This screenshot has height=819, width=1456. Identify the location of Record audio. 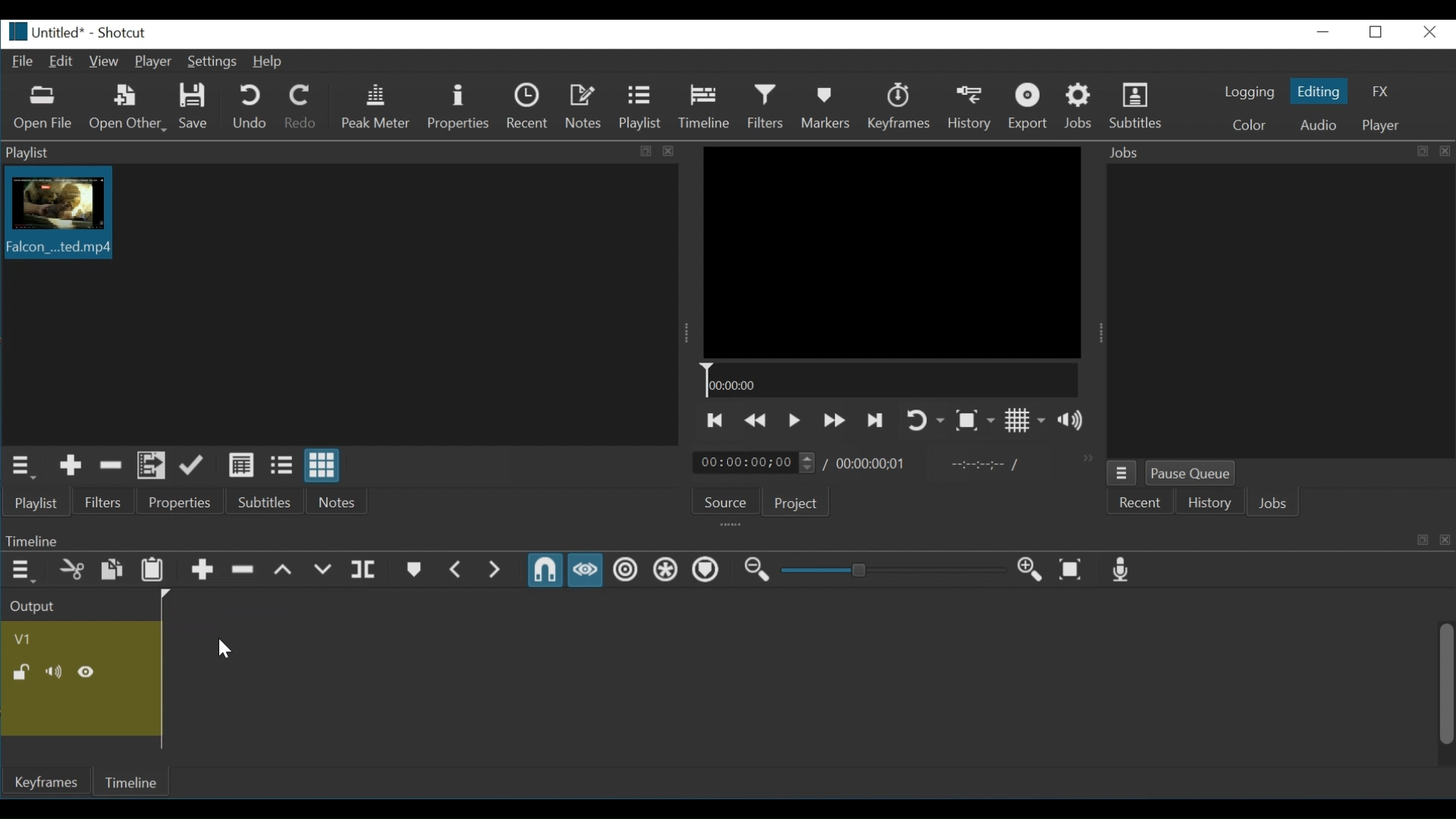
(1118, 570).